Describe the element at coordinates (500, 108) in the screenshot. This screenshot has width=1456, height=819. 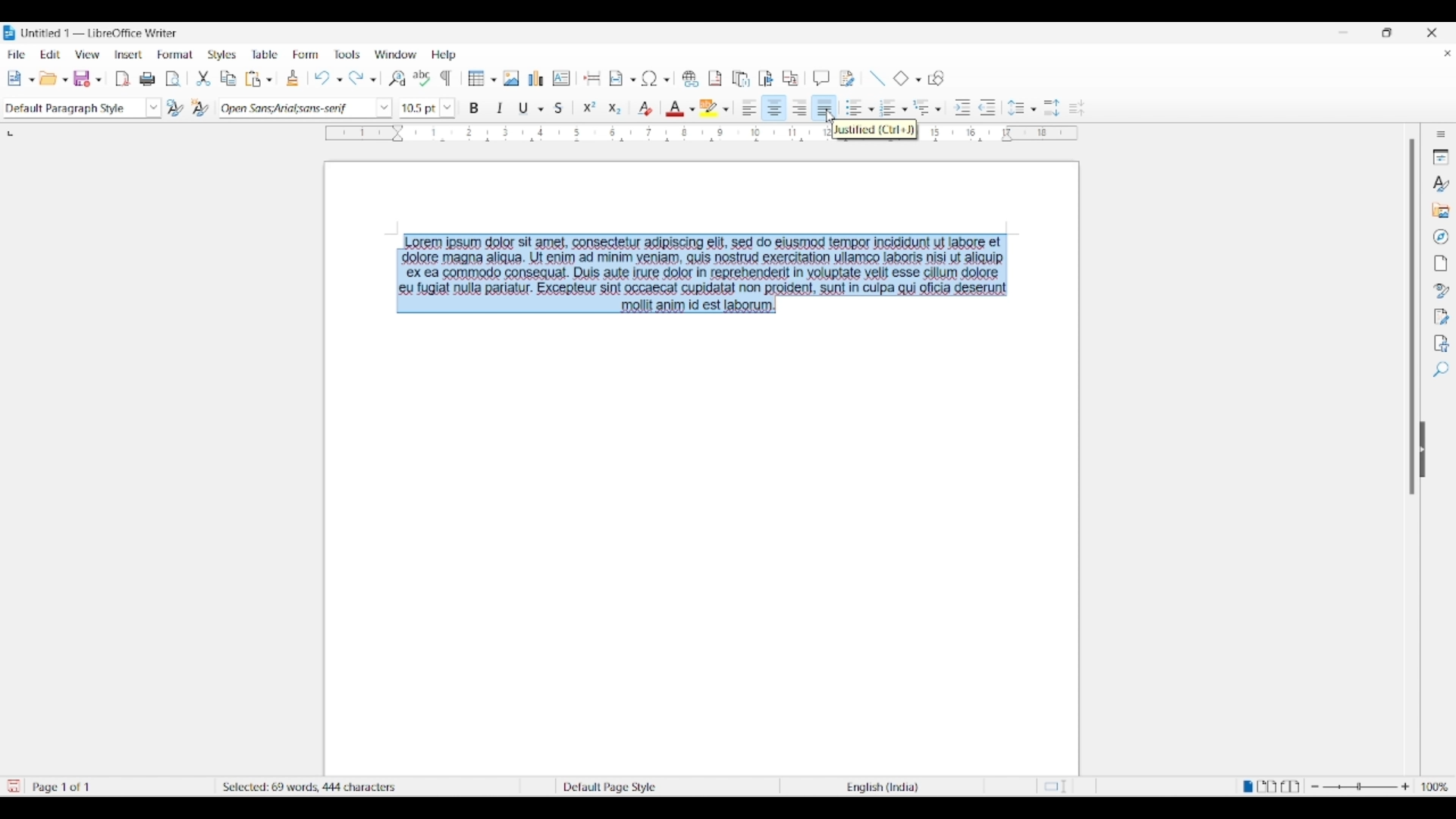
I see `Italic` at that location.